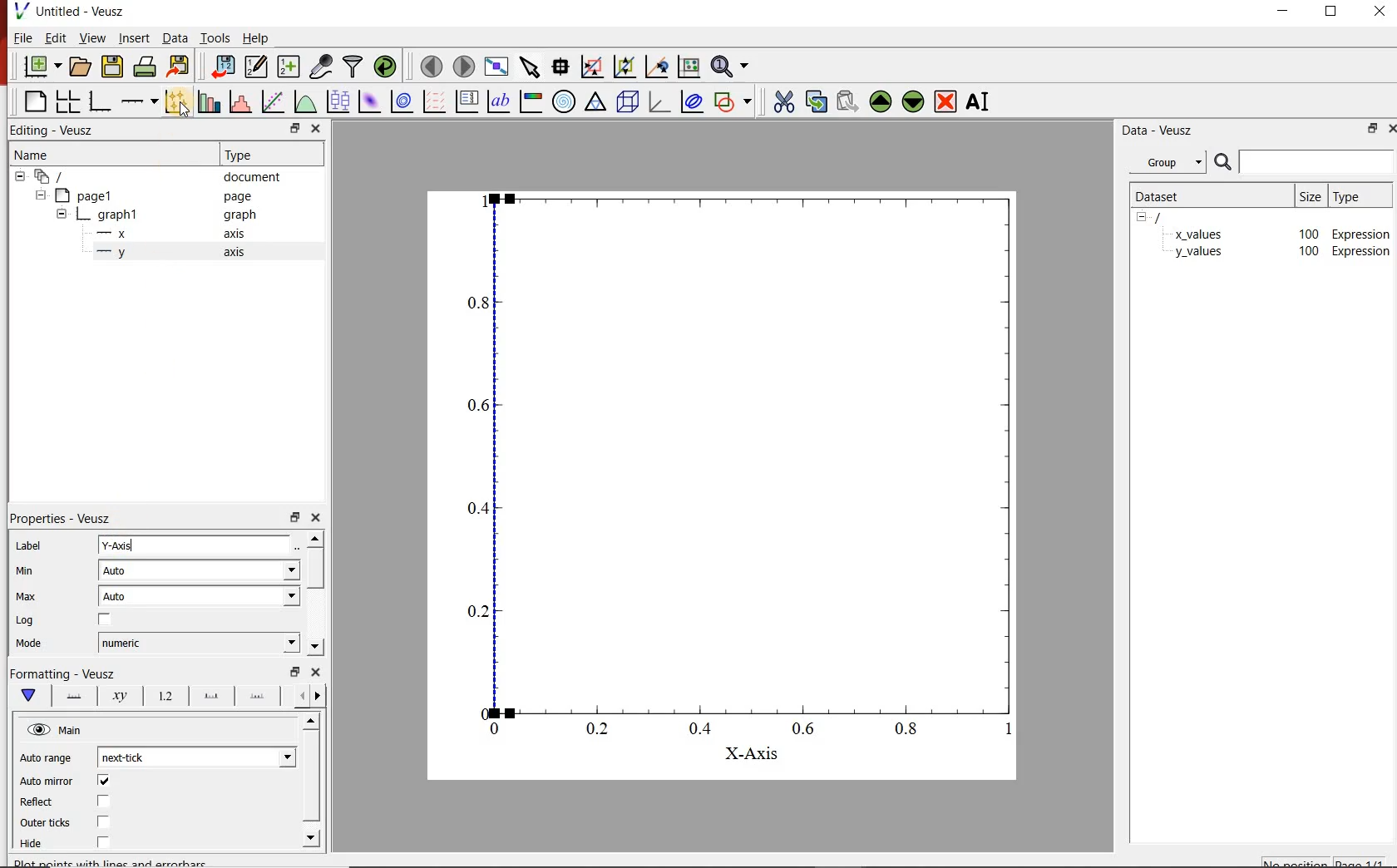 The height and width of the screenshot is (868, 1397). What do you see at coordinates (20, 176) in the screenshot?
I see `hide` at bounding box center [20, 176].